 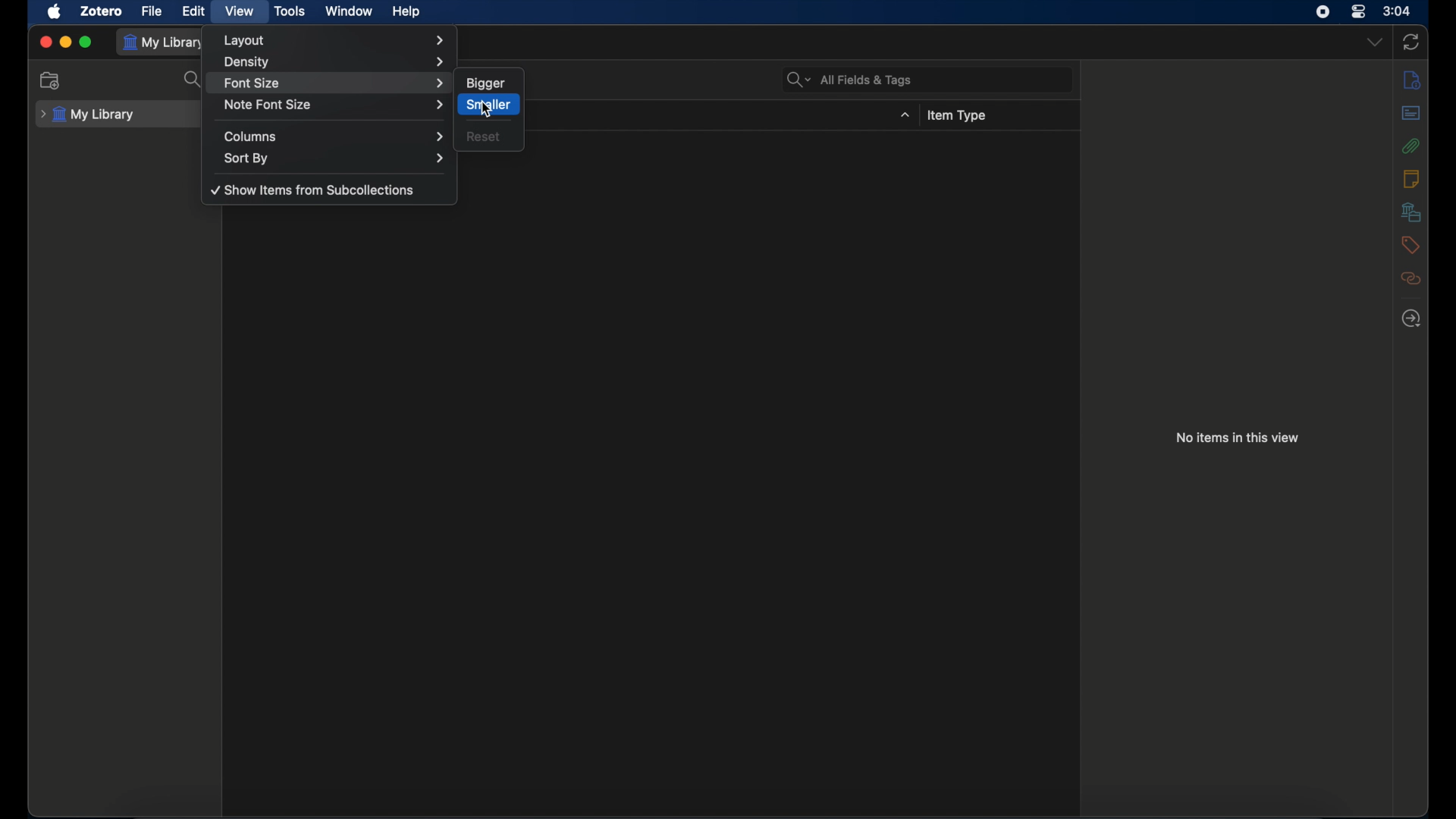 What do you see at coordinates (1410, 212) in the screenshot?
I see `libraries` at bounding box center [1410, 212].